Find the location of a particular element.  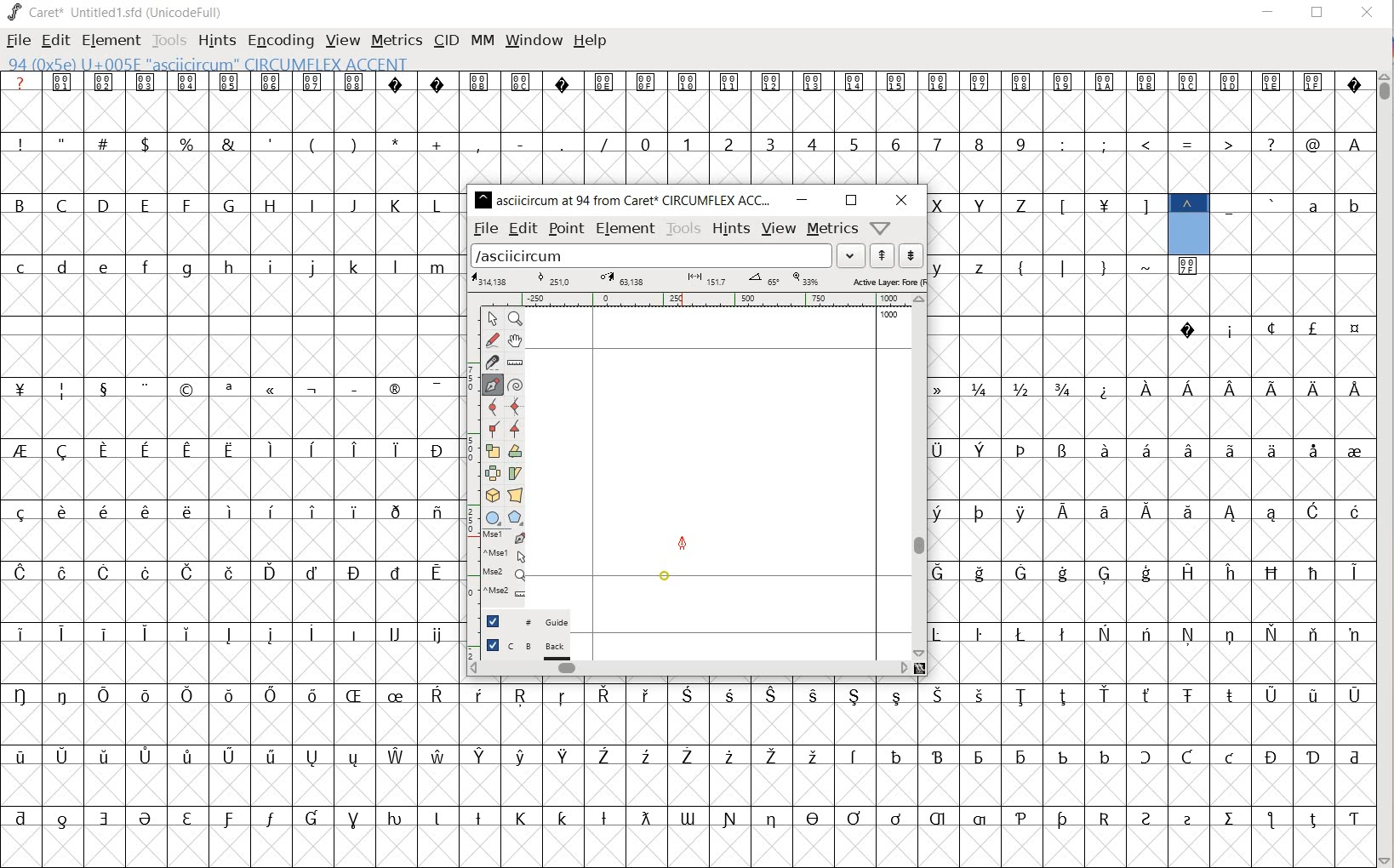

file is located at coordinates (485, 230).